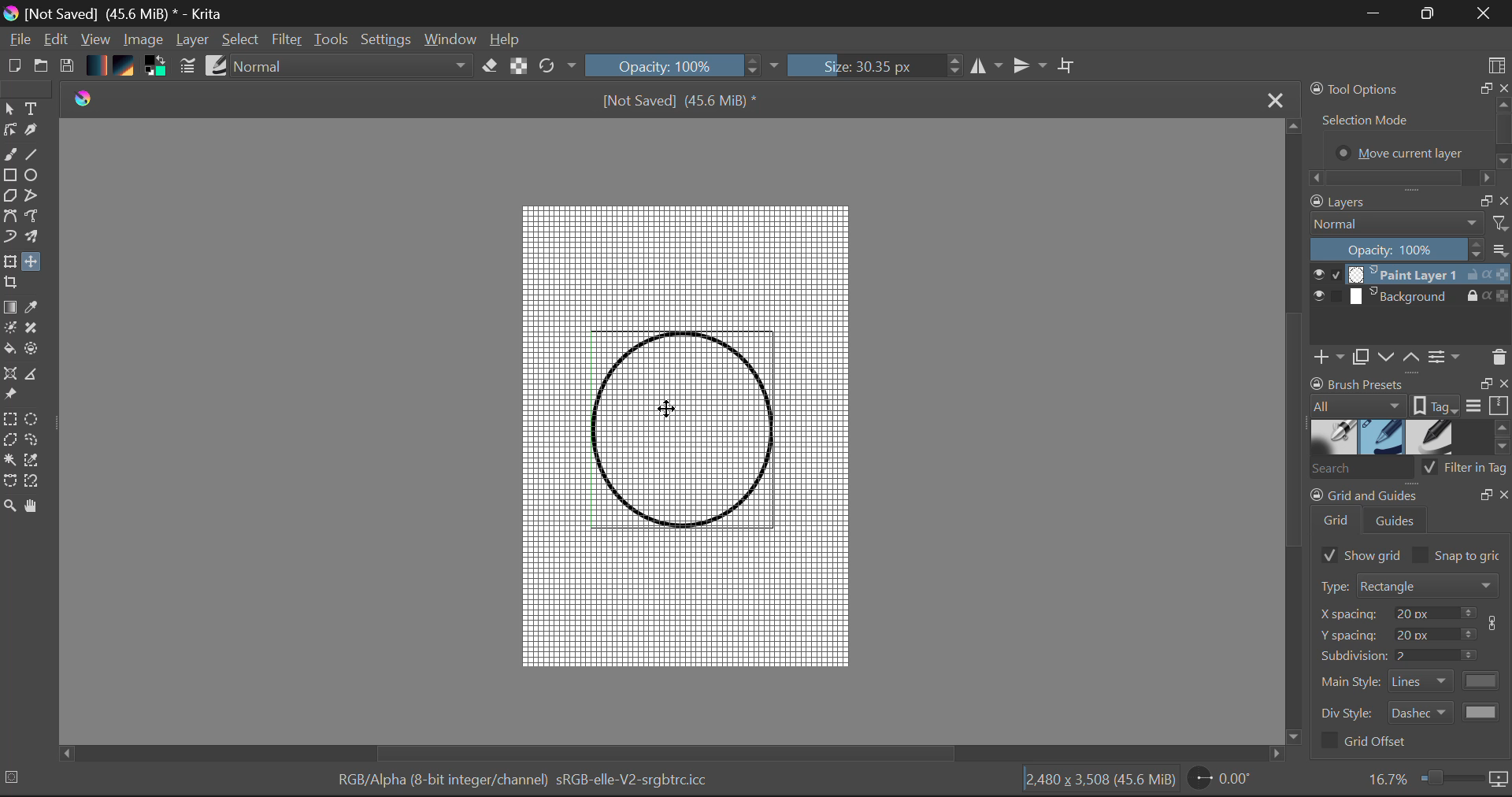  Describe the element at coordinates (1101, 783) in the screenshot. I see `Document Dimensions` at that location.